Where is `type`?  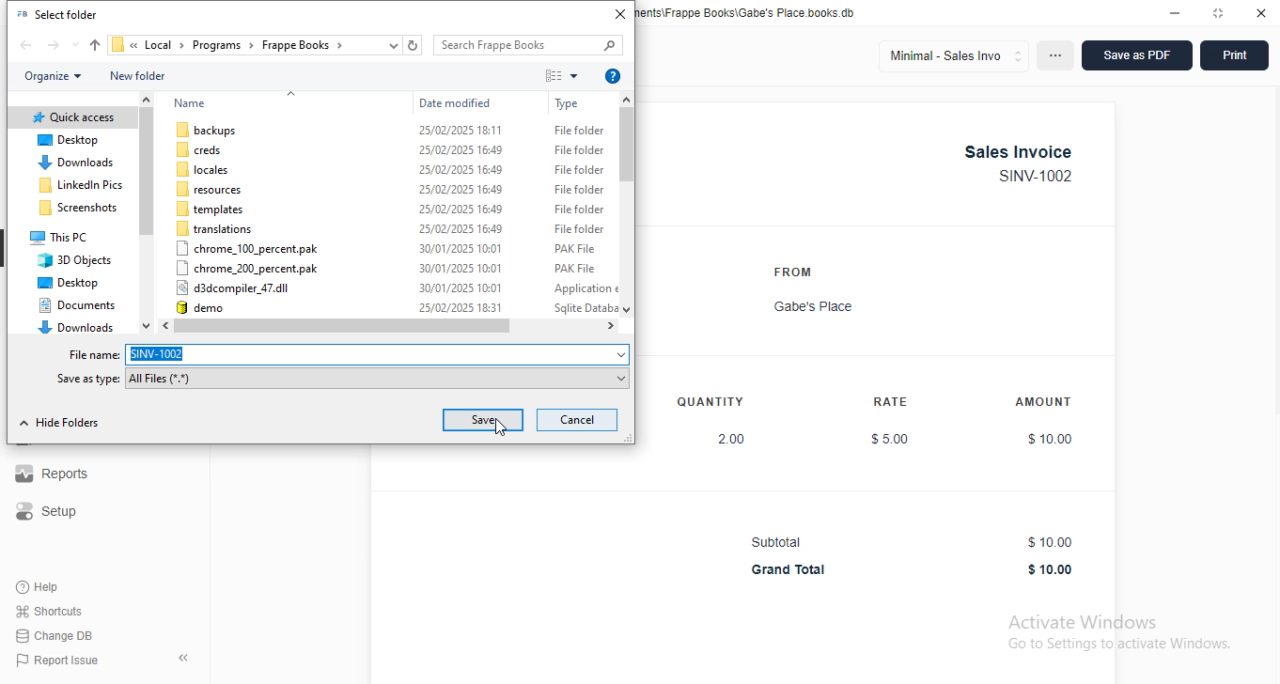 type is located at coordinates (567, 104).